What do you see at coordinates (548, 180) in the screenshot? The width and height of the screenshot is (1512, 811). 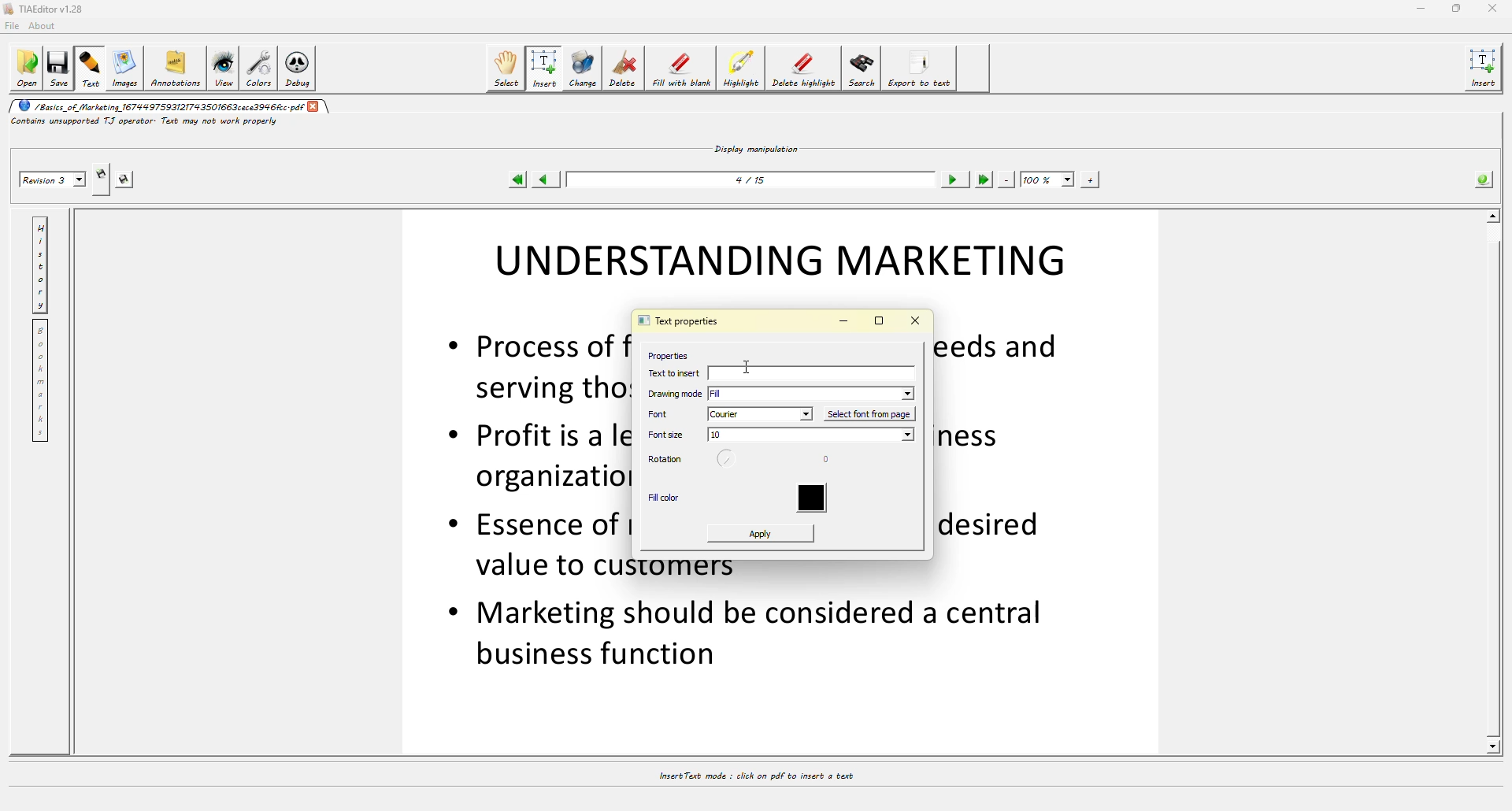 I see `previous page` at bounding box center [548, 180].